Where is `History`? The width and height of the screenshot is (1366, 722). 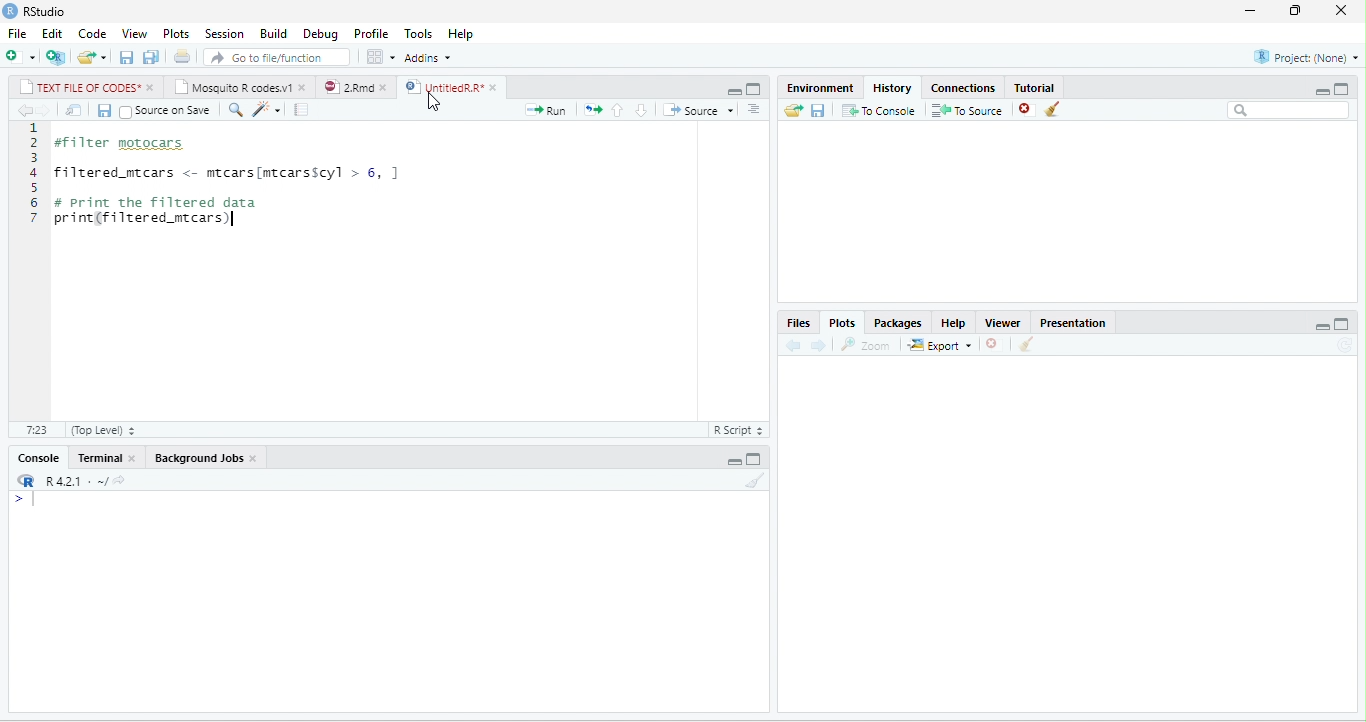
History is located at coordinates (892, 88).